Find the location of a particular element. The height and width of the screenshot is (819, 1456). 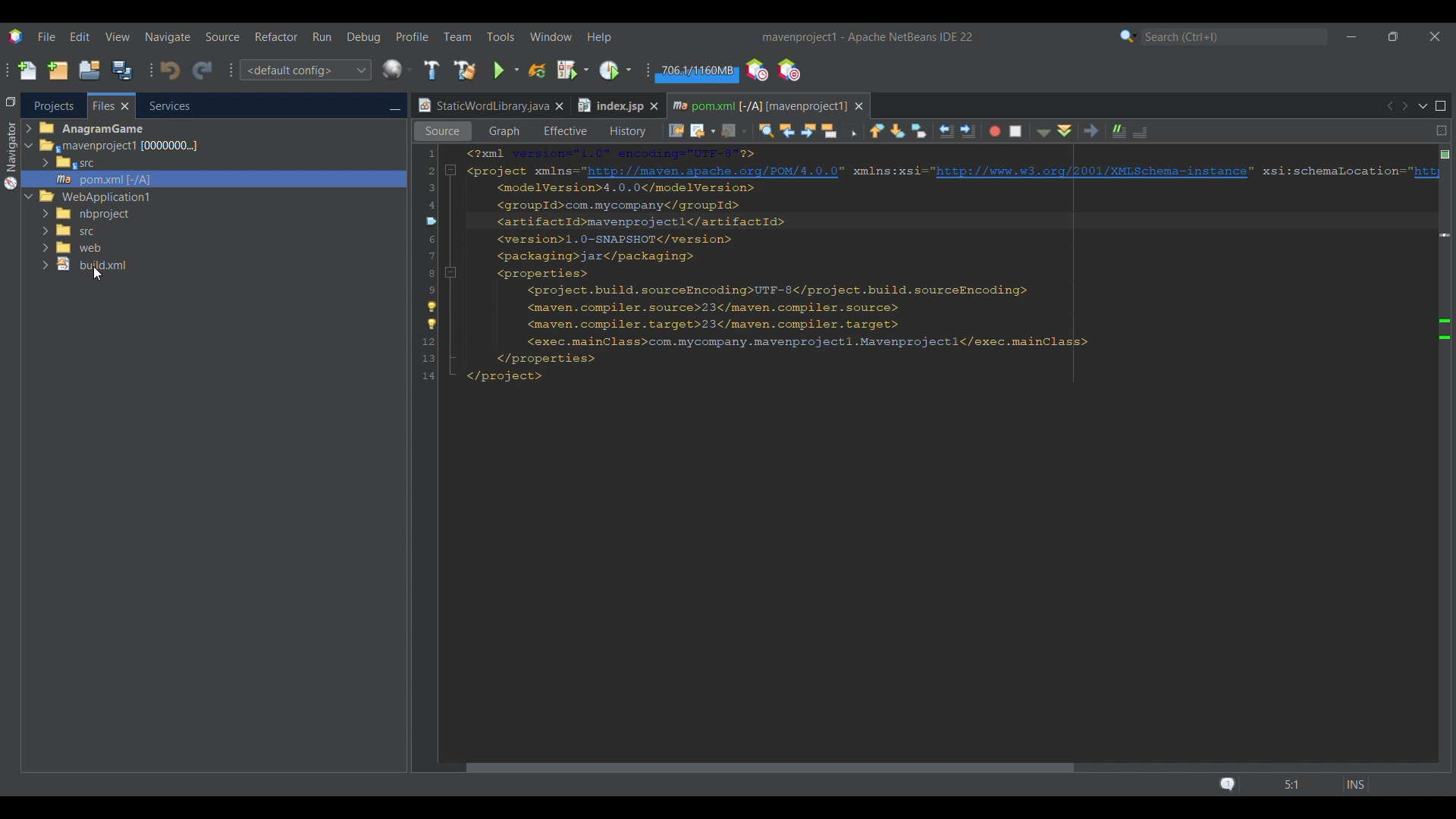

File menu is located at coordinates (46, 36).